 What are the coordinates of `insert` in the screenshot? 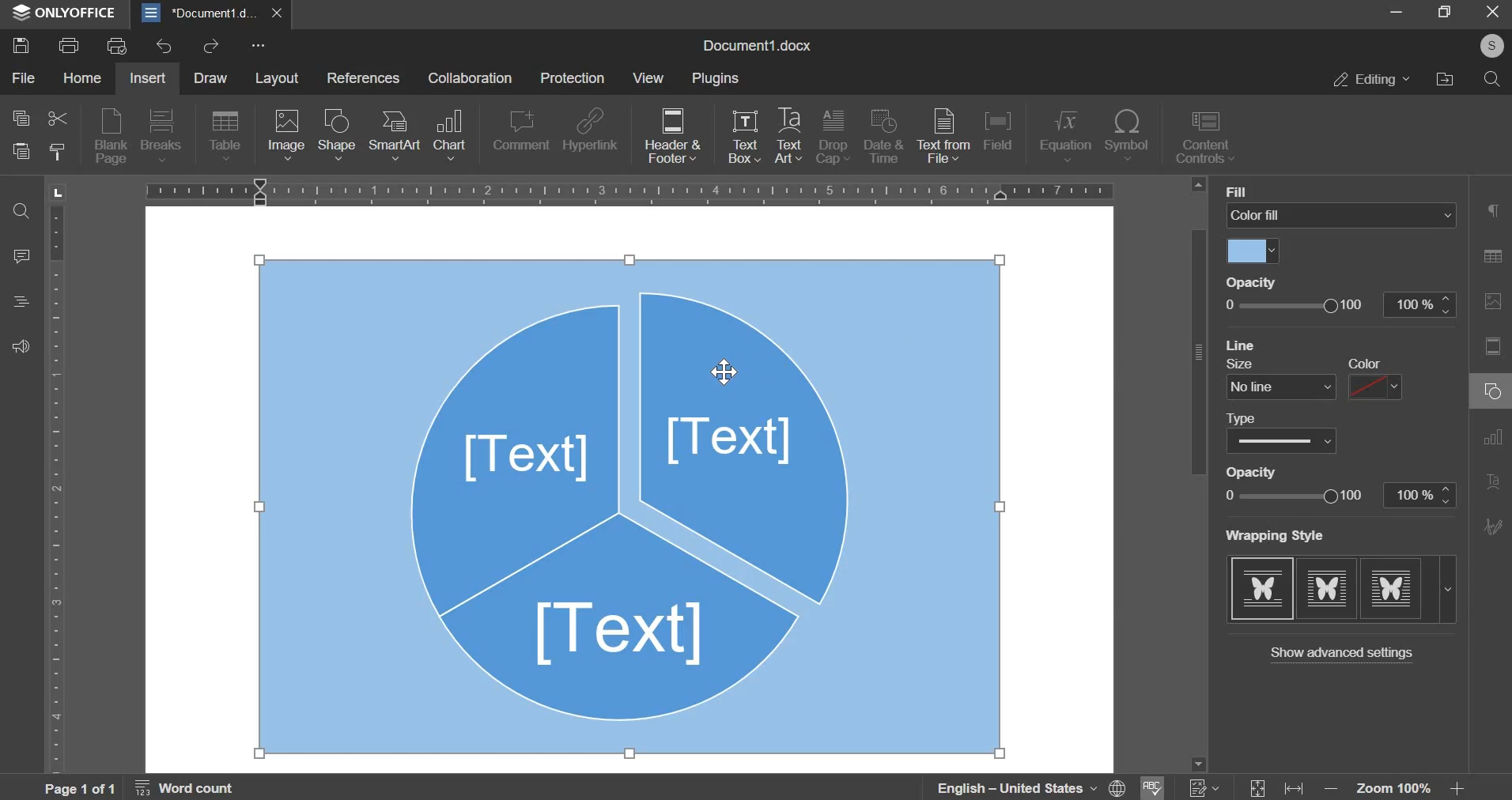 It's located at (148, 79).